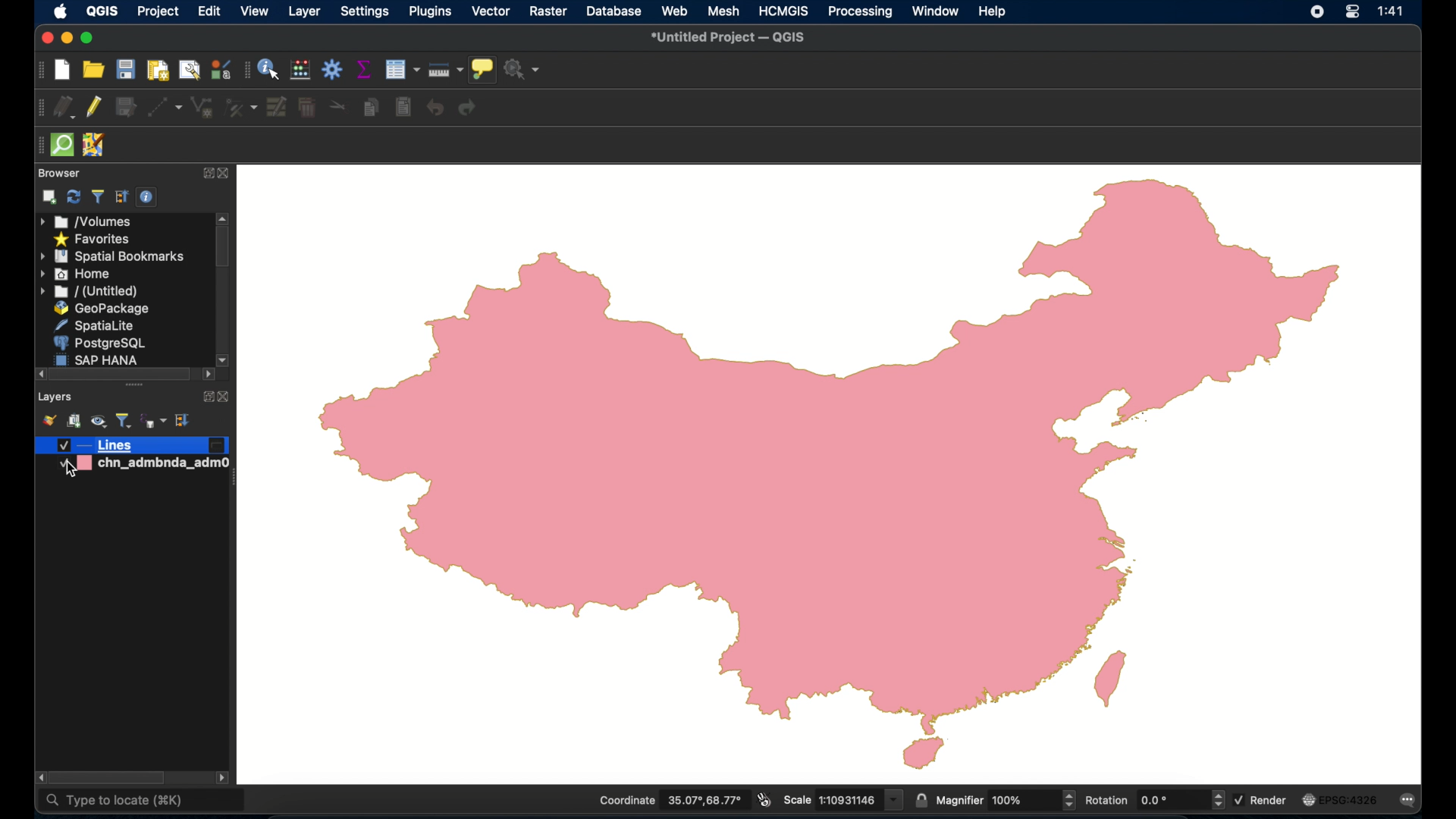 This screenshot has height=819, width=1456. I want to click on identify features, so click(269, 69).